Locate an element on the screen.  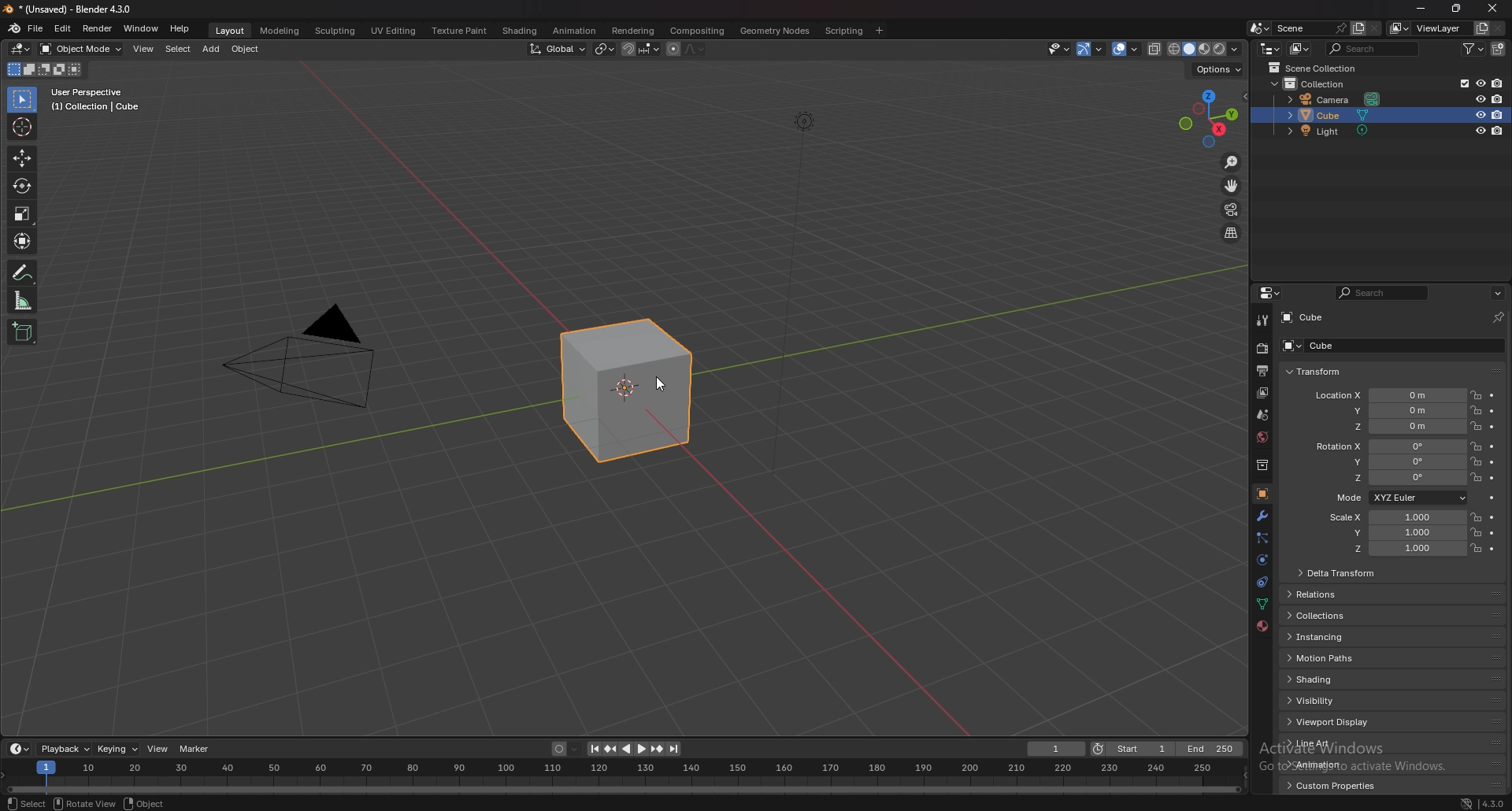
toggle pin id is located at coordinates (1498, 317).